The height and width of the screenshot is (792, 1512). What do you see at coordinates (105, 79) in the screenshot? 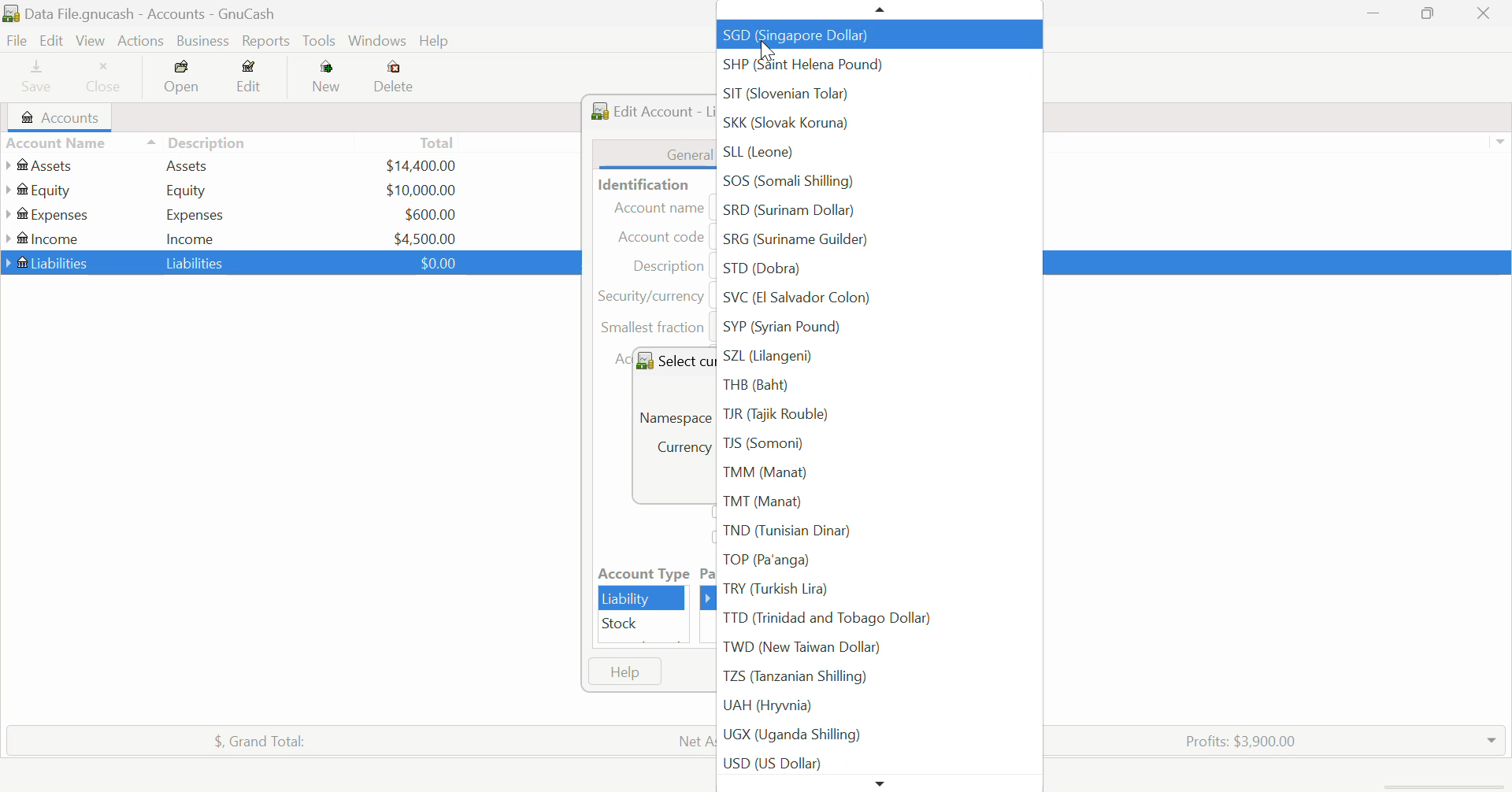
I see `Close` at bounding box center [105, 79].